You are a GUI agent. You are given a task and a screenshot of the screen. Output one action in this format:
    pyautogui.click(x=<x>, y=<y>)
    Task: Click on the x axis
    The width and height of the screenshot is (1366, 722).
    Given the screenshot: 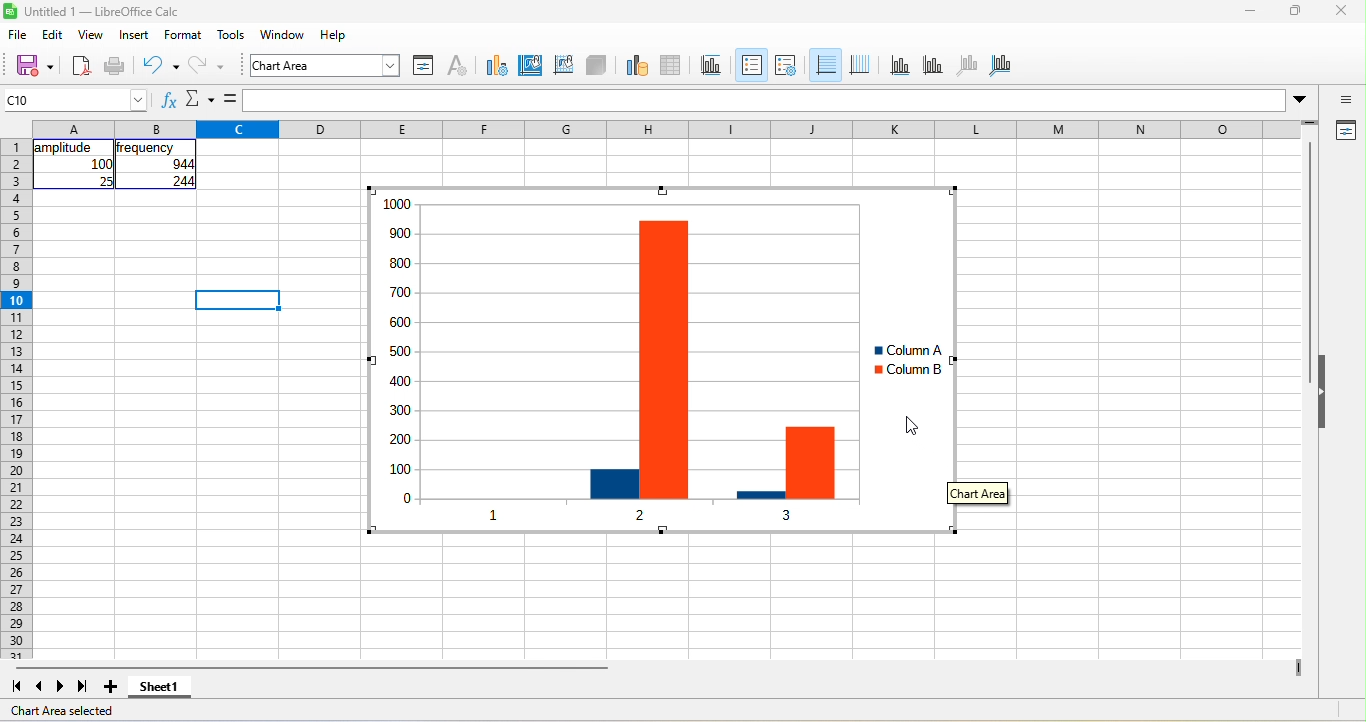 What is the action you would take?
    pyautogui.click(x=900, y=66)
    